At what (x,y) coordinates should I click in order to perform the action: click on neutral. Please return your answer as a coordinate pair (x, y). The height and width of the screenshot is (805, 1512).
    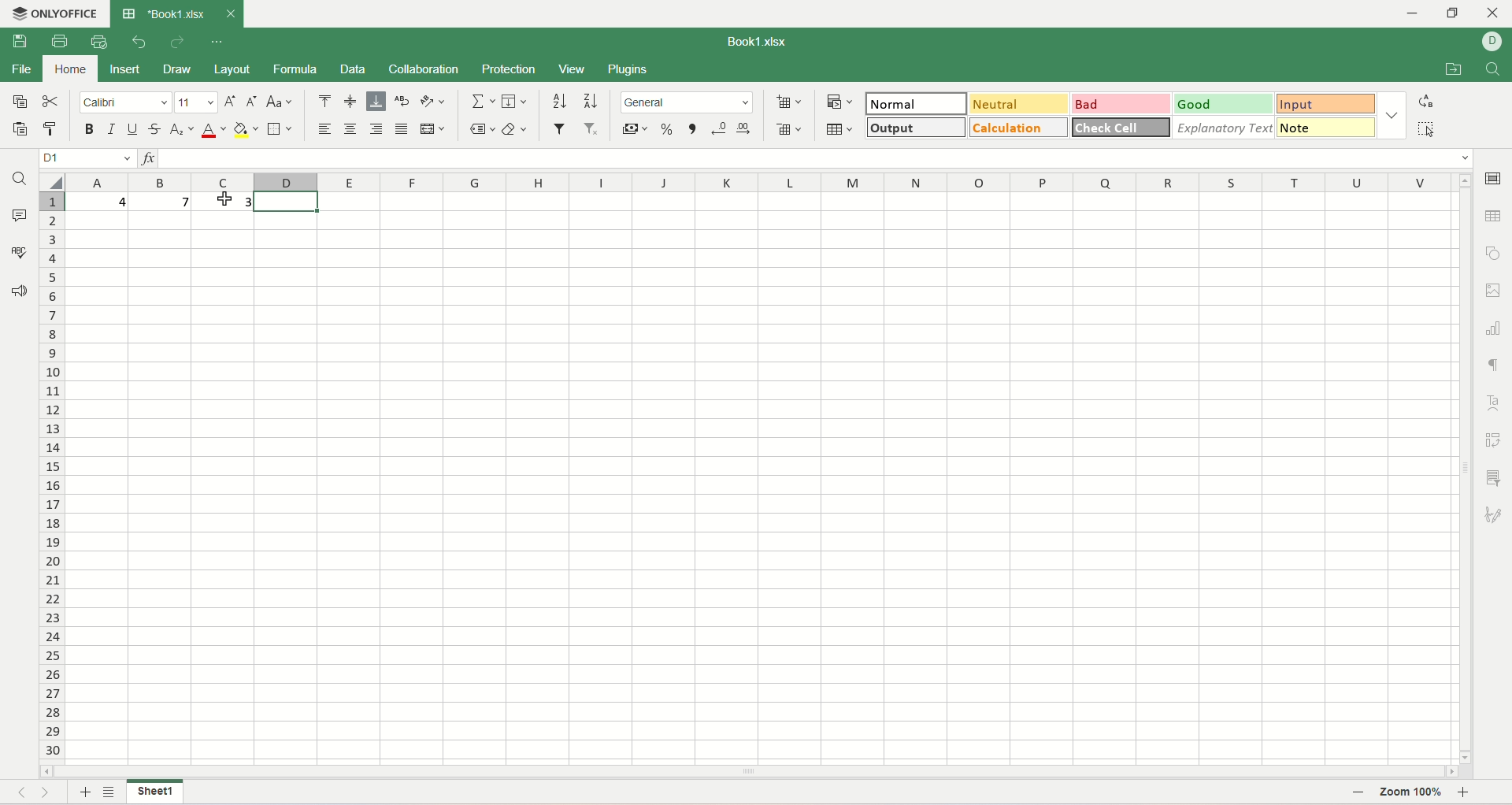
    Looking at the image, I should click on (1020, 102).